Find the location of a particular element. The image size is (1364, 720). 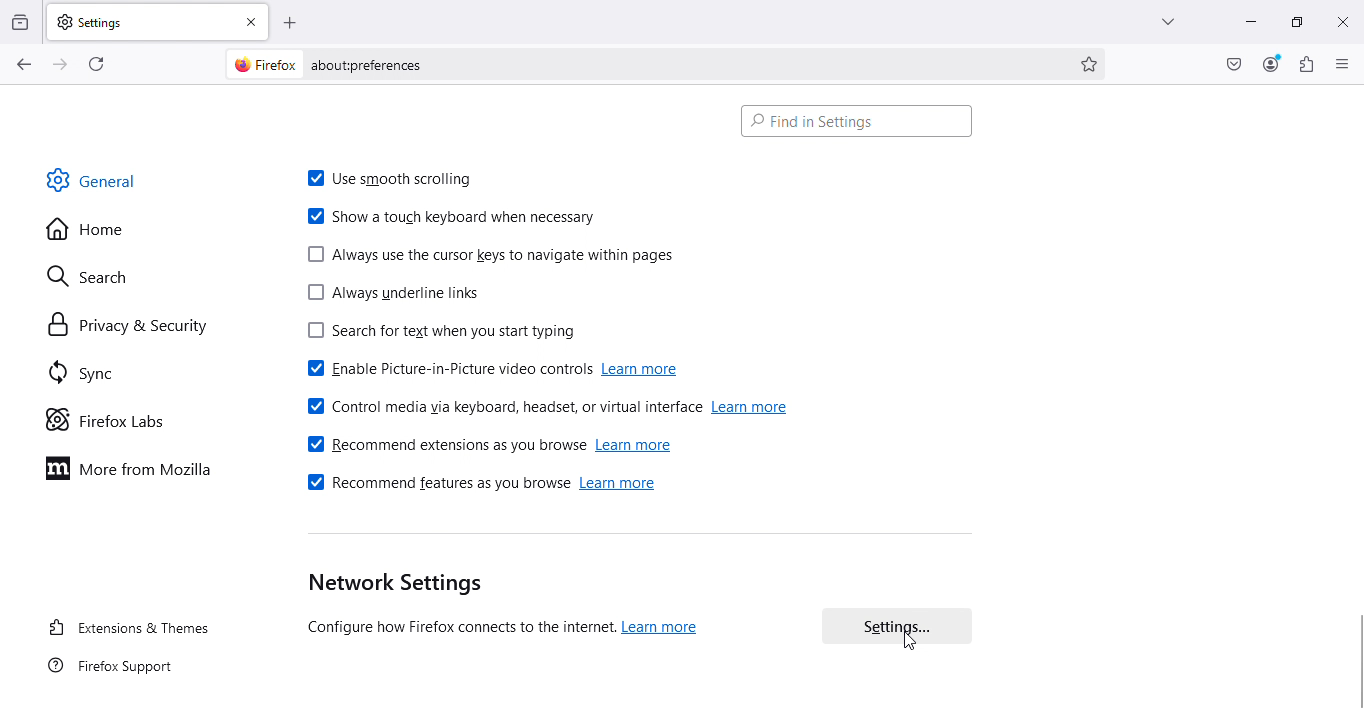

Open application menu is located at coordinates (1343, 63).